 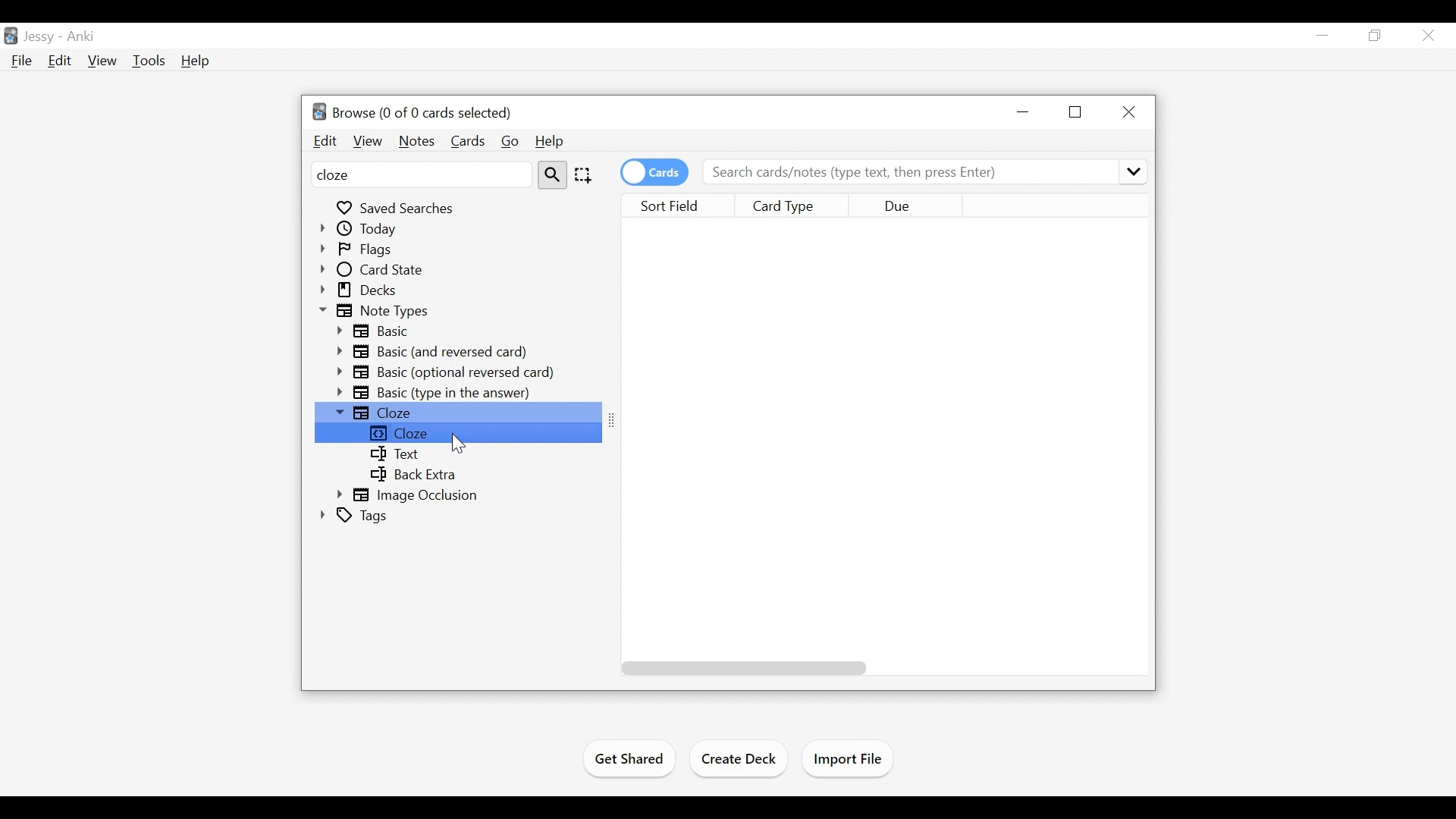 I want to click on Help, so click(x=194, y=61).